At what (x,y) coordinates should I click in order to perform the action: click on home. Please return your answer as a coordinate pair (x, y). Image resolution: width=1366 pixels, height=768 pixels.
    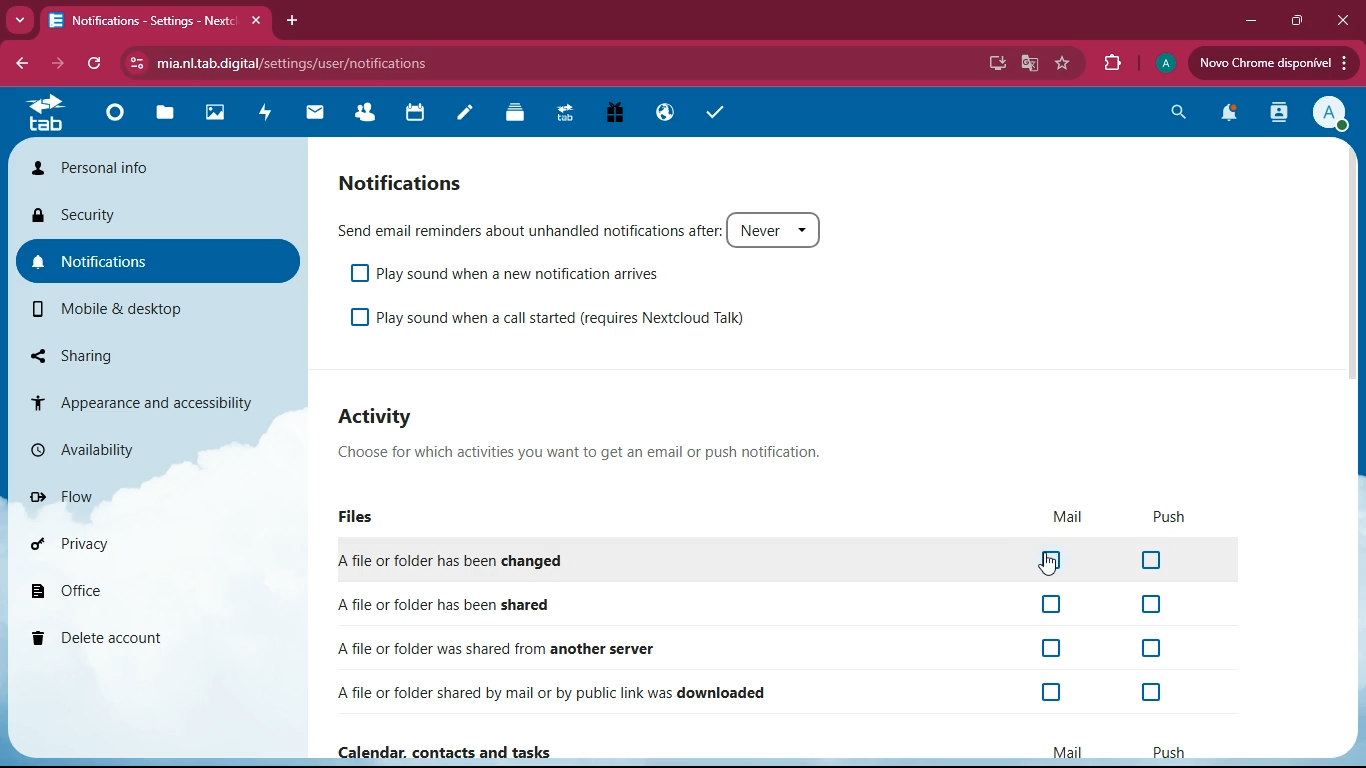
    Looking at the image, I should click on (114, 118).